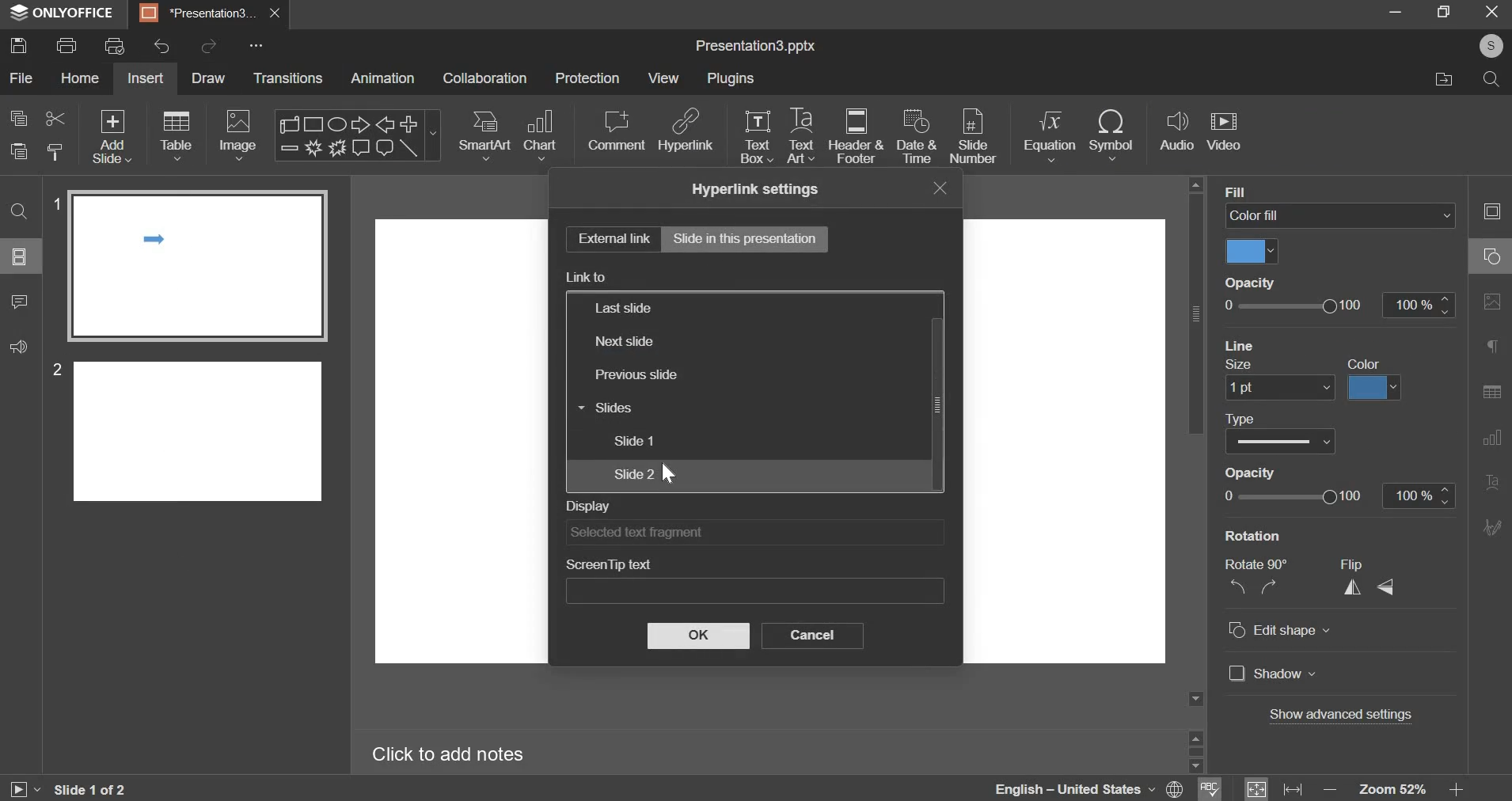 This screenshot has width=1512, height=801. I want to click on maximize, so click(1446, 11).